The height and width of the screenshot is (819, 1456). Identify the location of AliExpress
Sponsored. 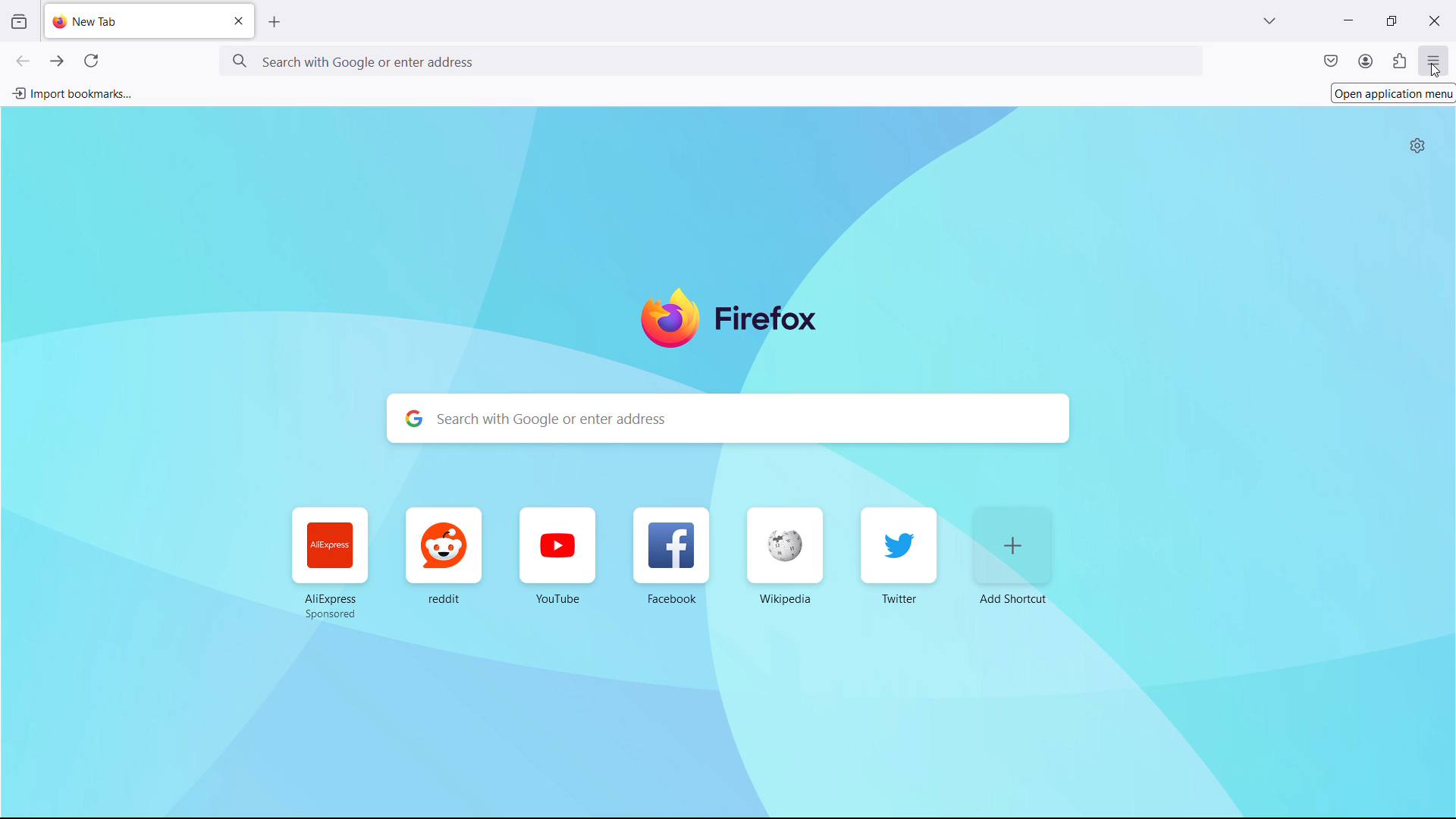
(331, 565).